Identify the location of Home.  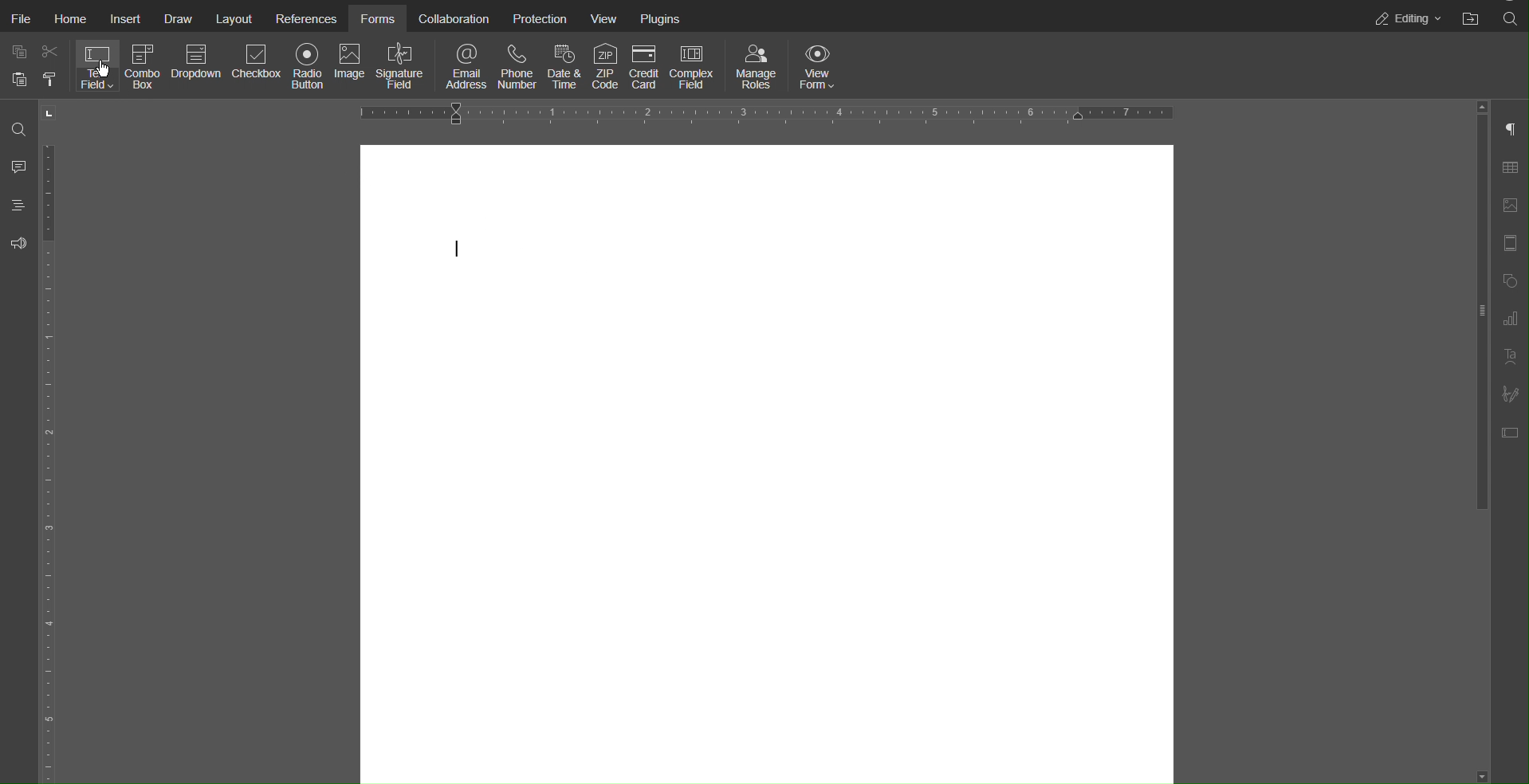
(70, 20).